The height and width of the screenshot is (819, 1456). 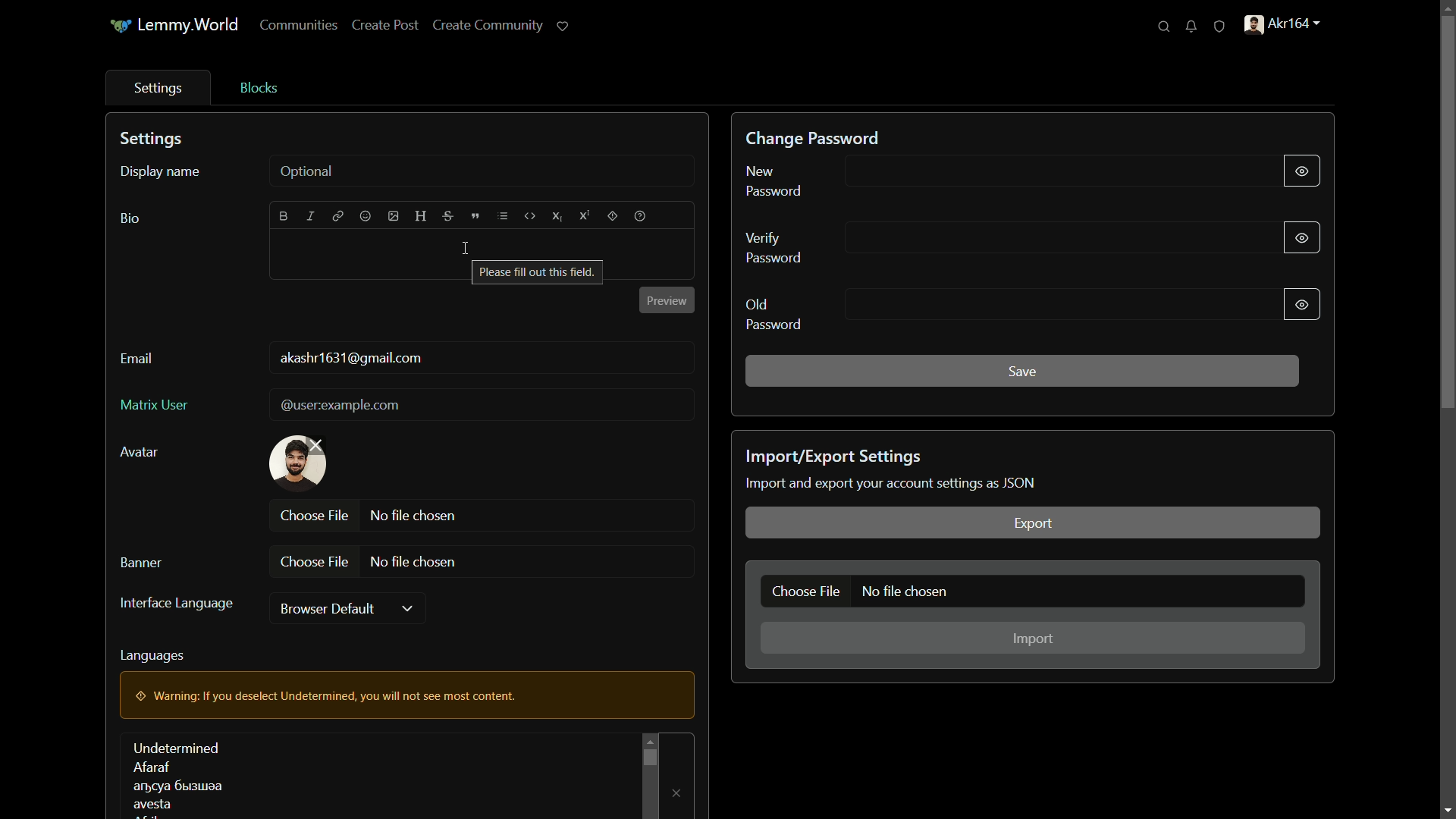 I want to click on bio, so click(x=130, y=219).